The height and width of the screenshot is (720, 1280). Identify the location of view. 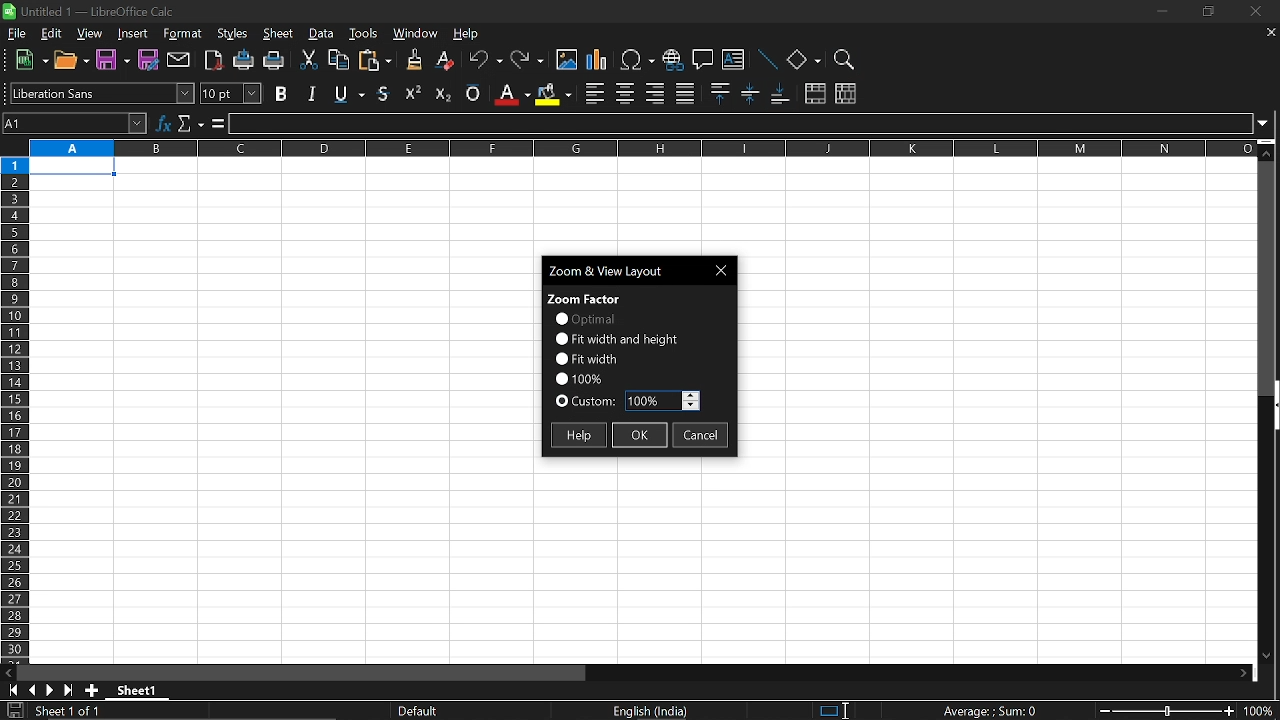
(91, 35).